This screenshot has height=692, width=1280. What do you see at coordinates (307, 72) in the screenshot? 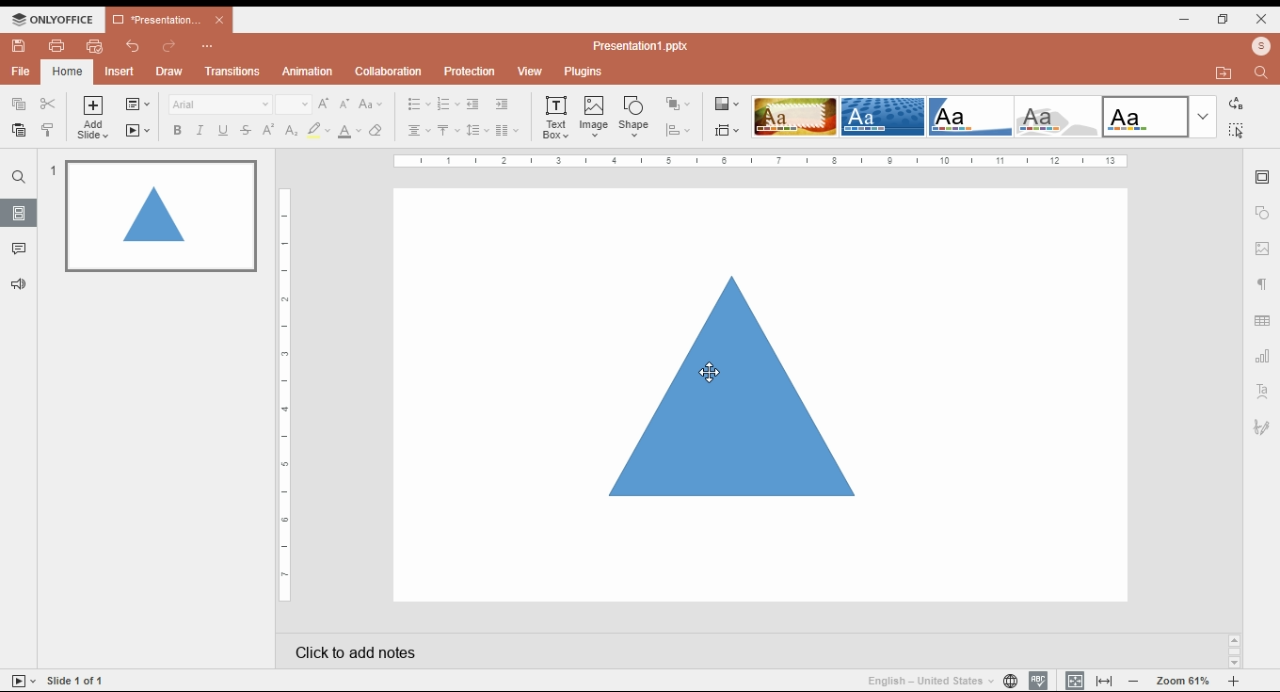
I see `animations` at bounding box center [307, 72].